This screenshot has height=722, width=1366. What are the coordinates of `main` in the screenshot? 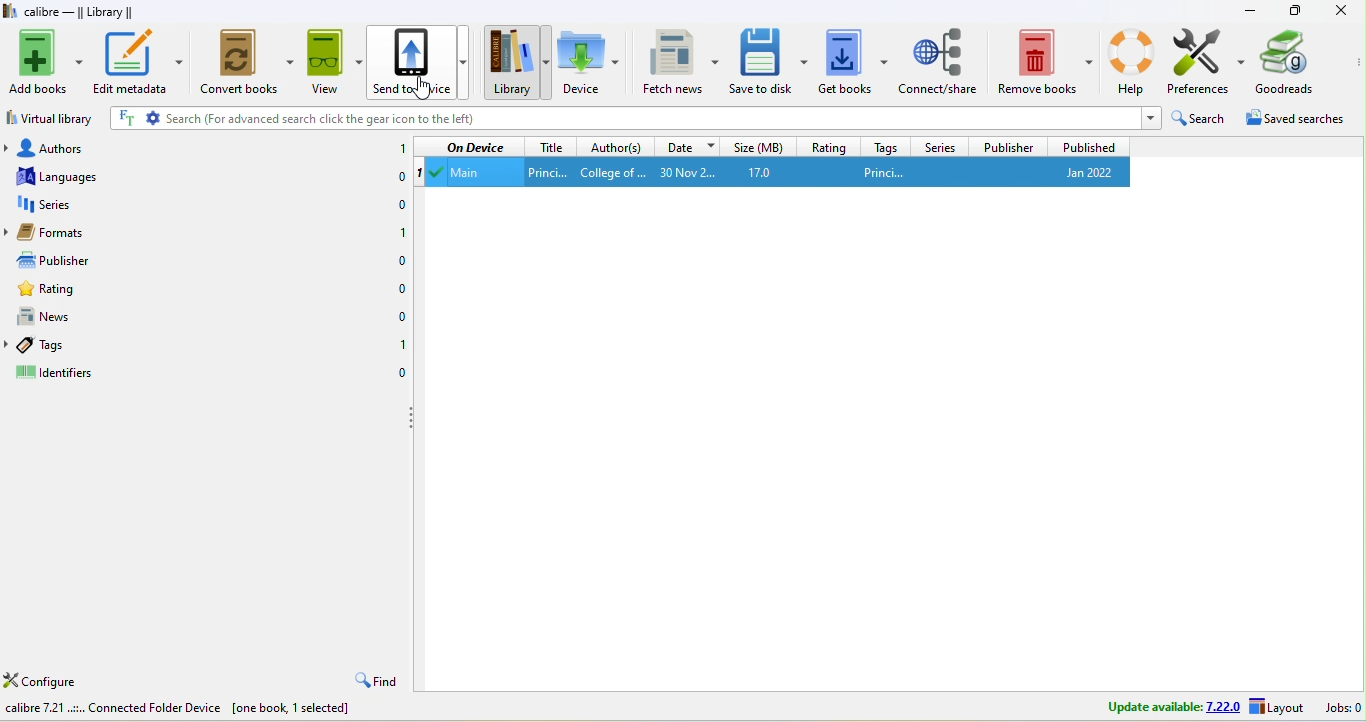 It's located at (776, 173).